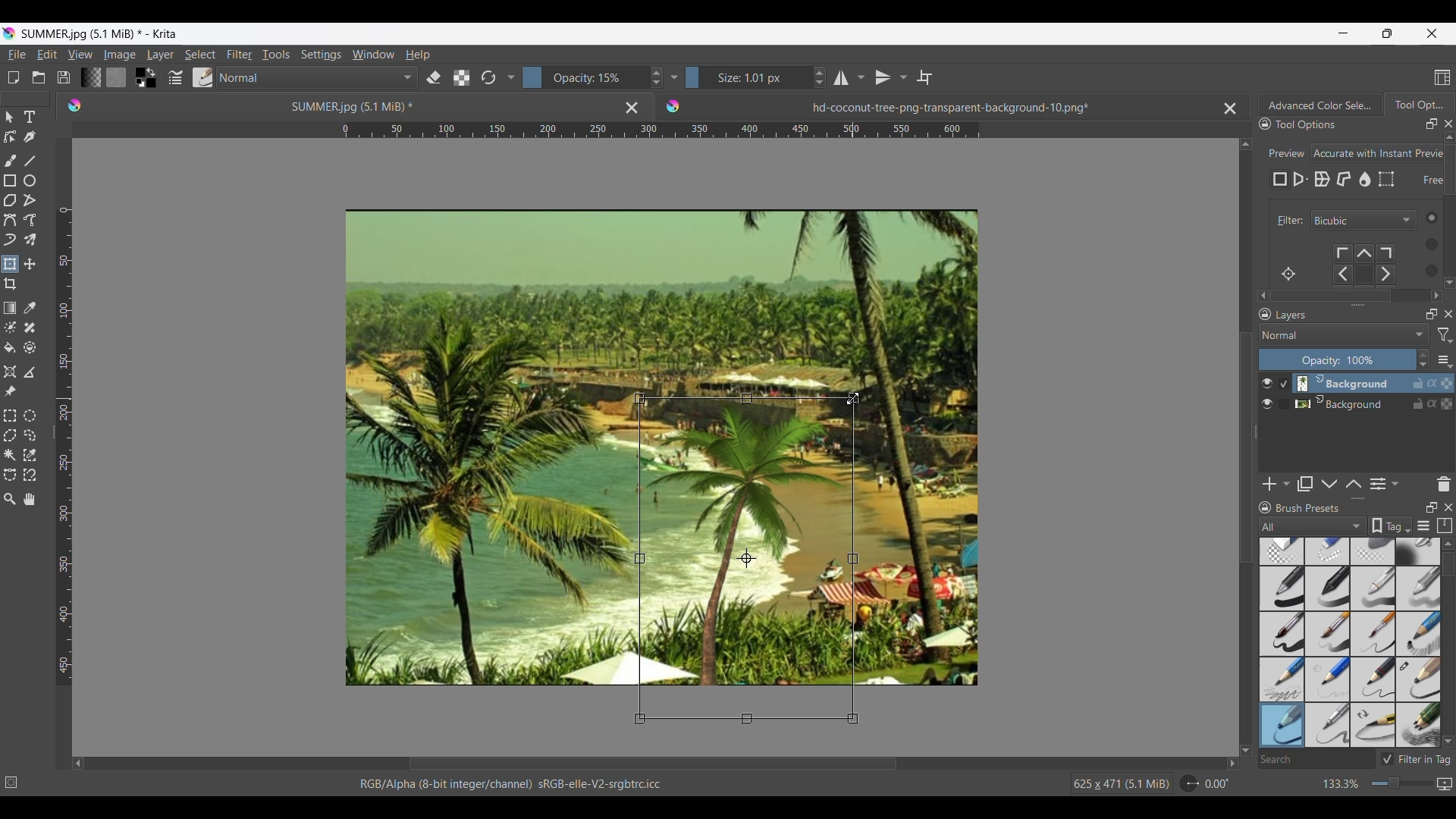  Describe the element at coordinates (518, 784) in the screenshot. I see `RGB/Alpha (8-bit integer/channel) sRGB-elle-V2-srgbtrc.icc` at that location.